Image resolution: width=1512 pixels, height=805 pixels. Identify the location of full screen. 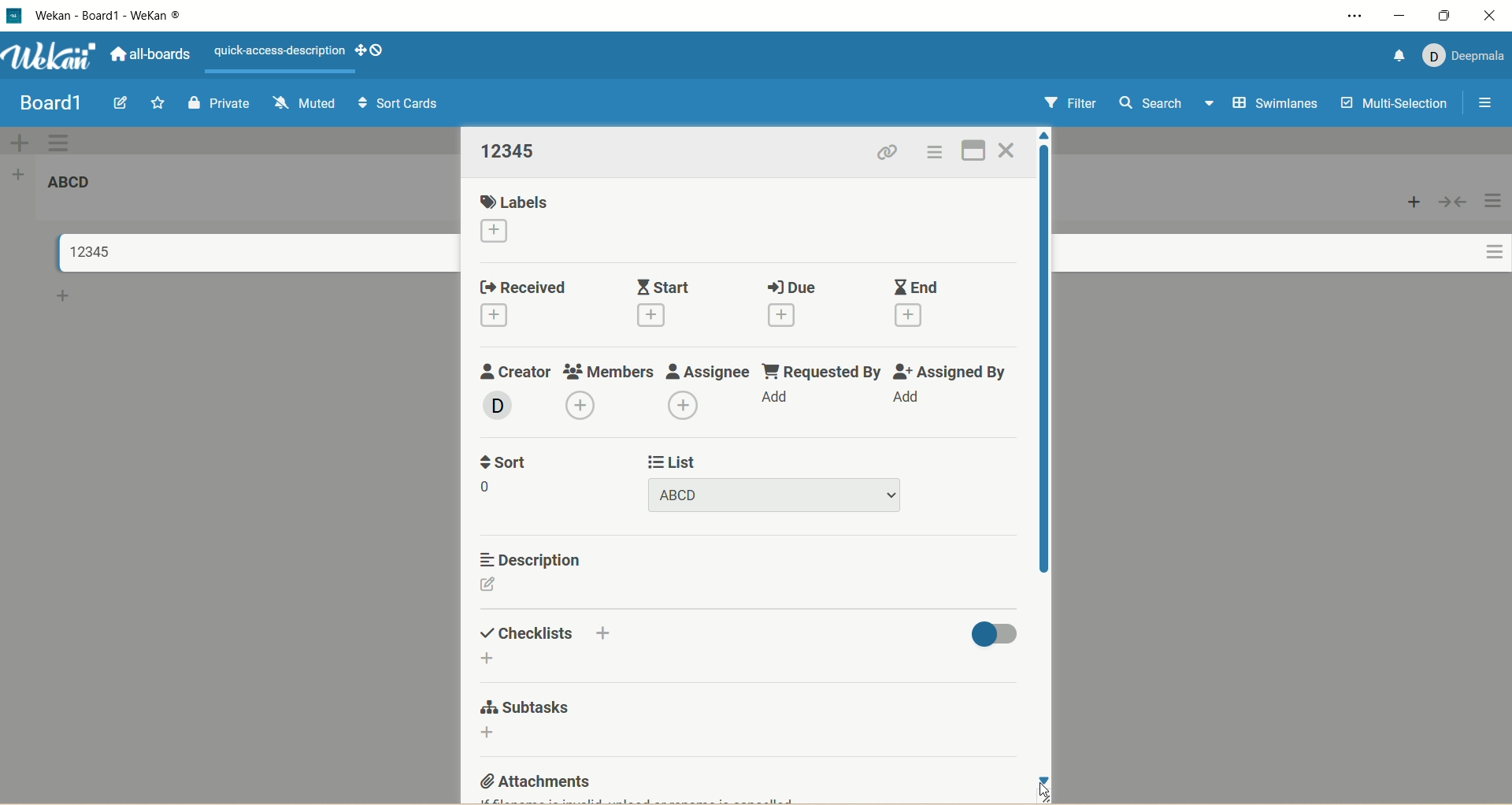
(976, 147).